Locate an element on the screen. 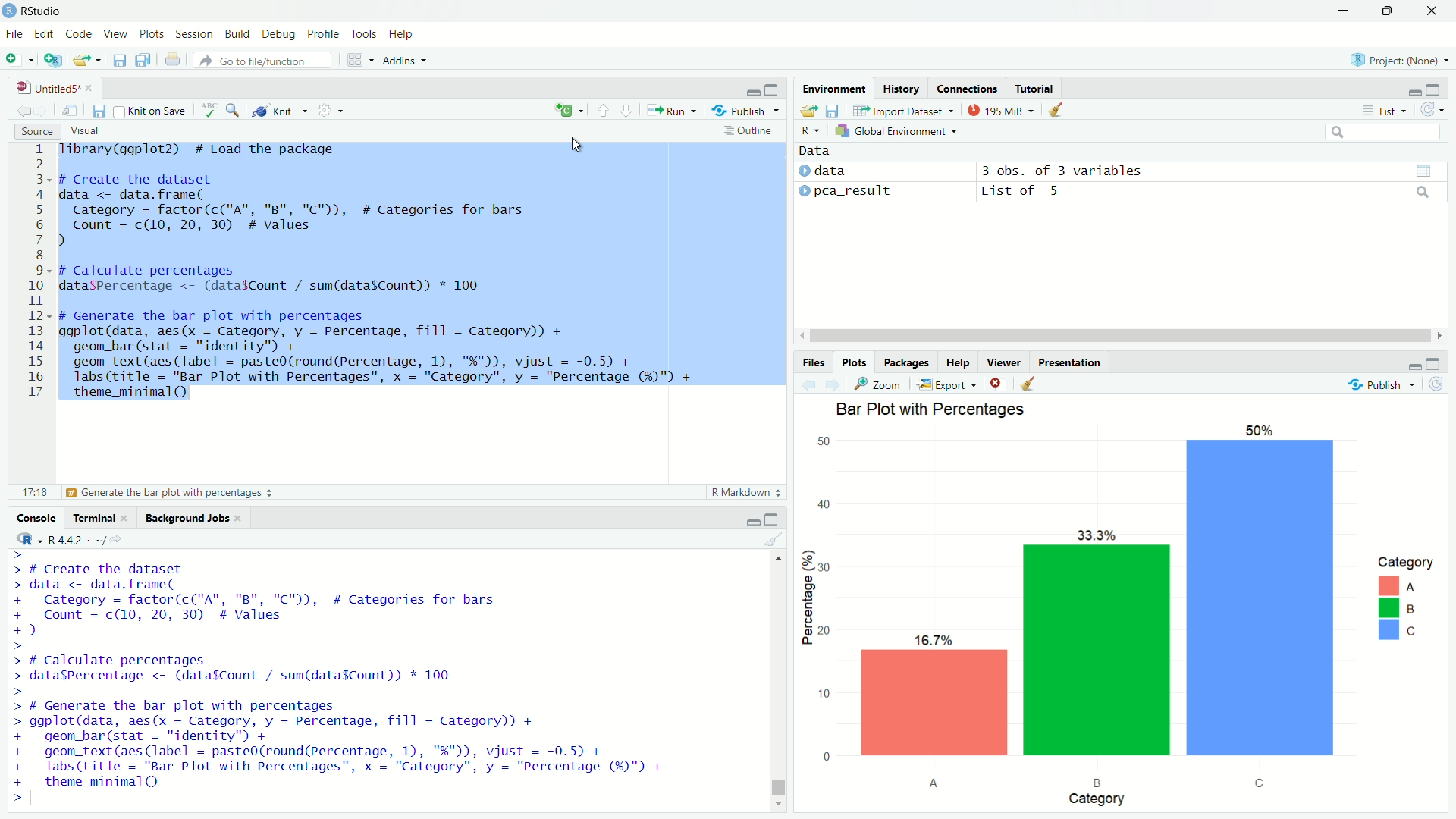 This screenshot has width=1456, height=819. maximize is located at coordinates (776, 518).